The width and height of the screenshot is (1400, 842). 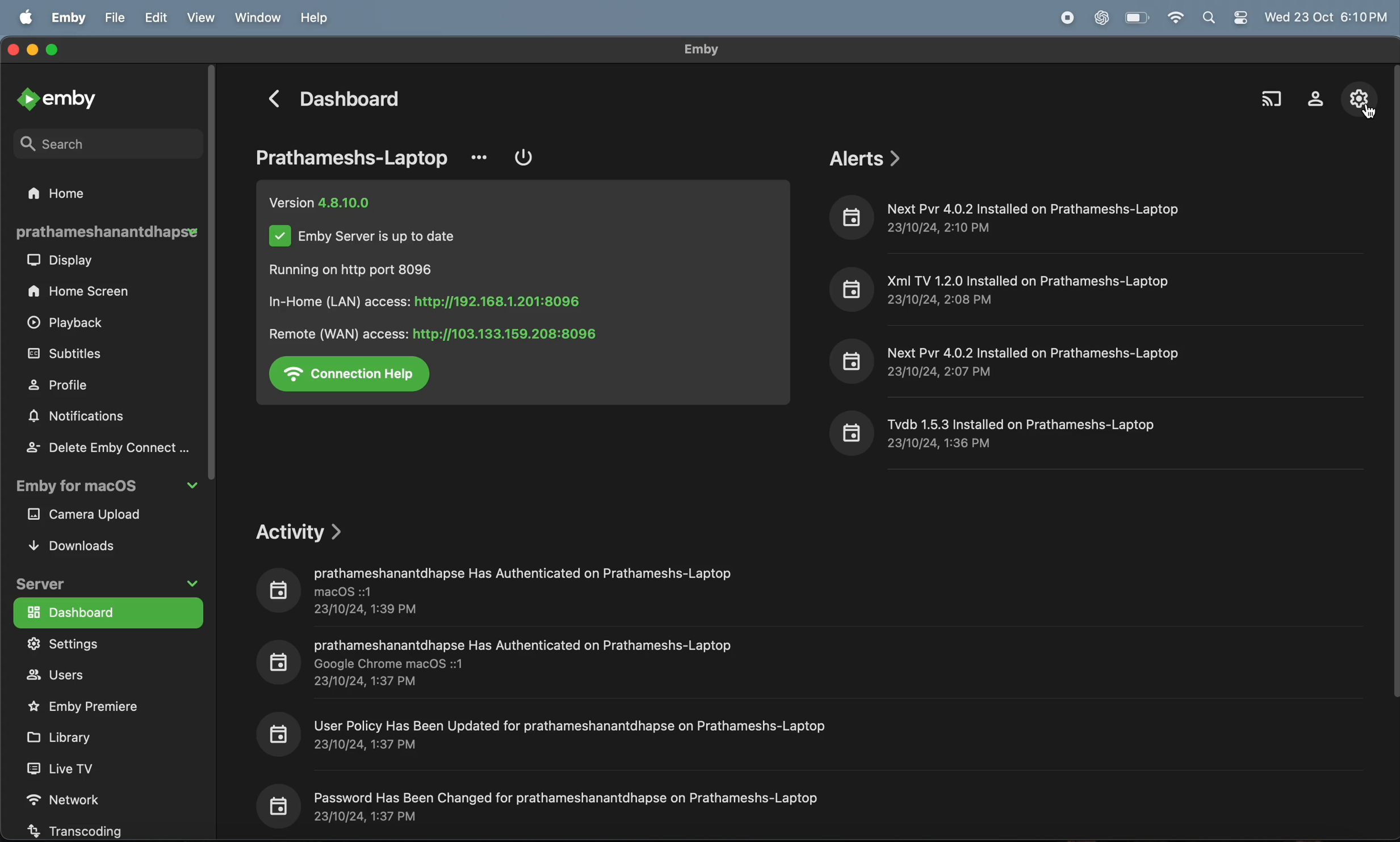 What do you see at coordinates (503, 663) in the screenshot?
I see `prathameshanantdhapse Has Authenticated on Prathameshs-Laptop
B8 Google Chrome macOS ::1
23/10/24, 1:37 PM` at bounding box center [503, 663].